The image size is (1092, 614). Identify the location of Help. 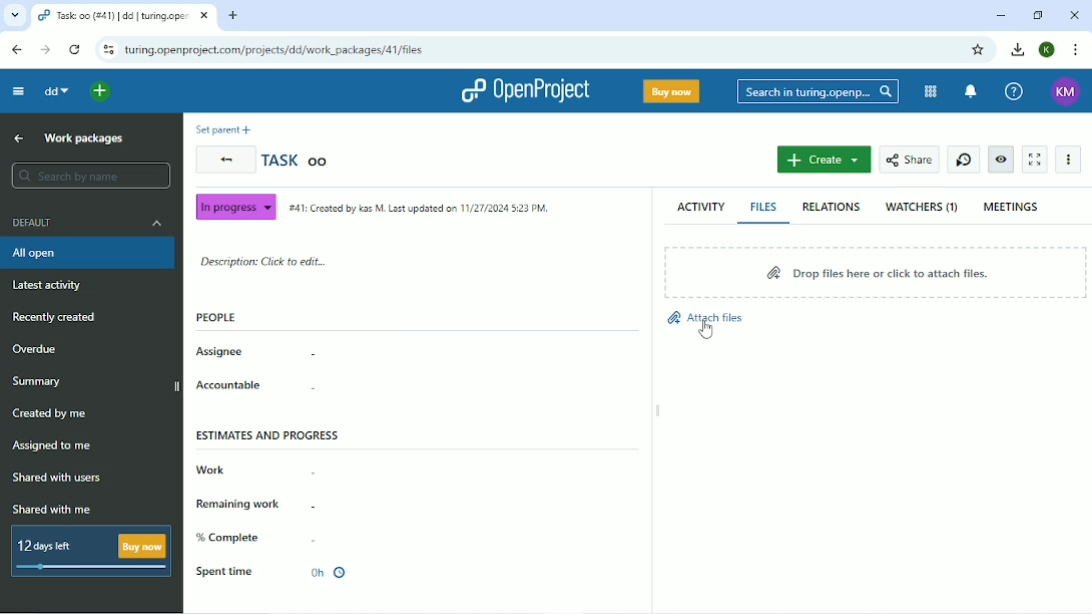
(1016, 91).